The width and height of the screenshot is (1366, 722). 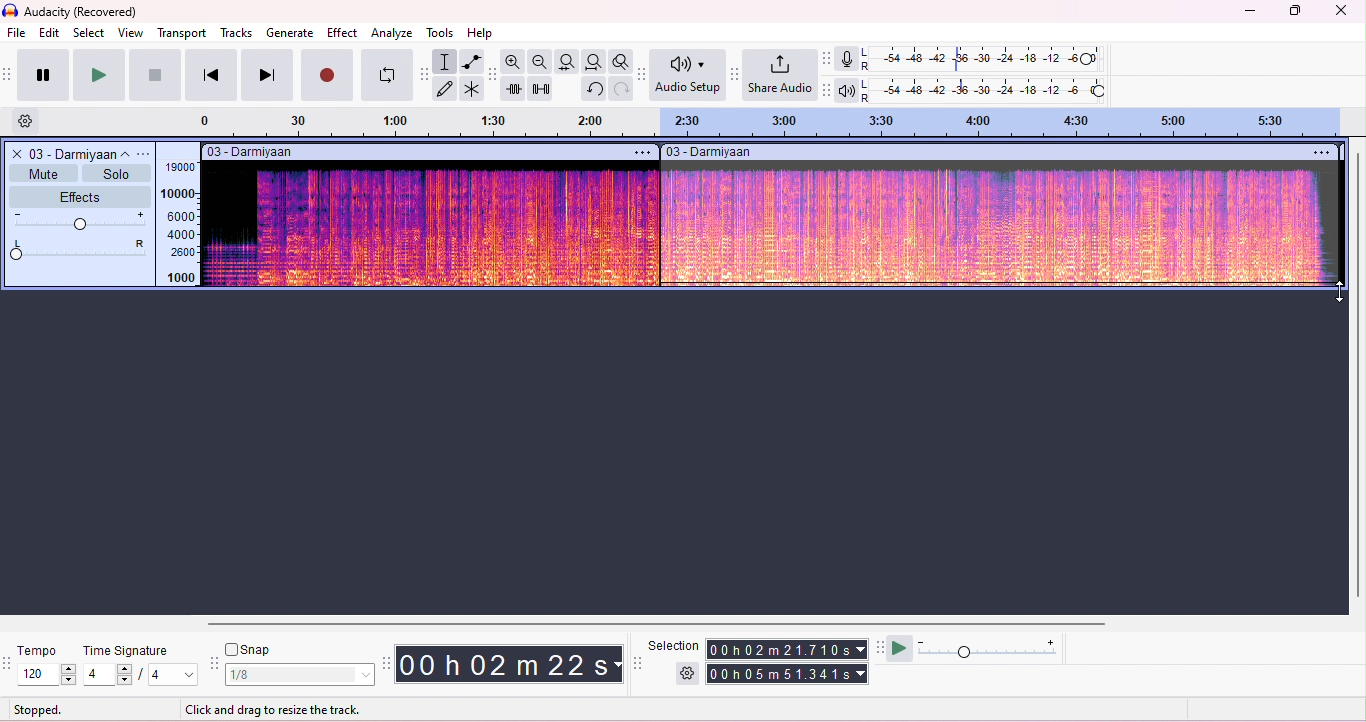 What do you see at coordinates (81, 222) in the screenshot?
I see `volume` at bounding box center [81, 222].